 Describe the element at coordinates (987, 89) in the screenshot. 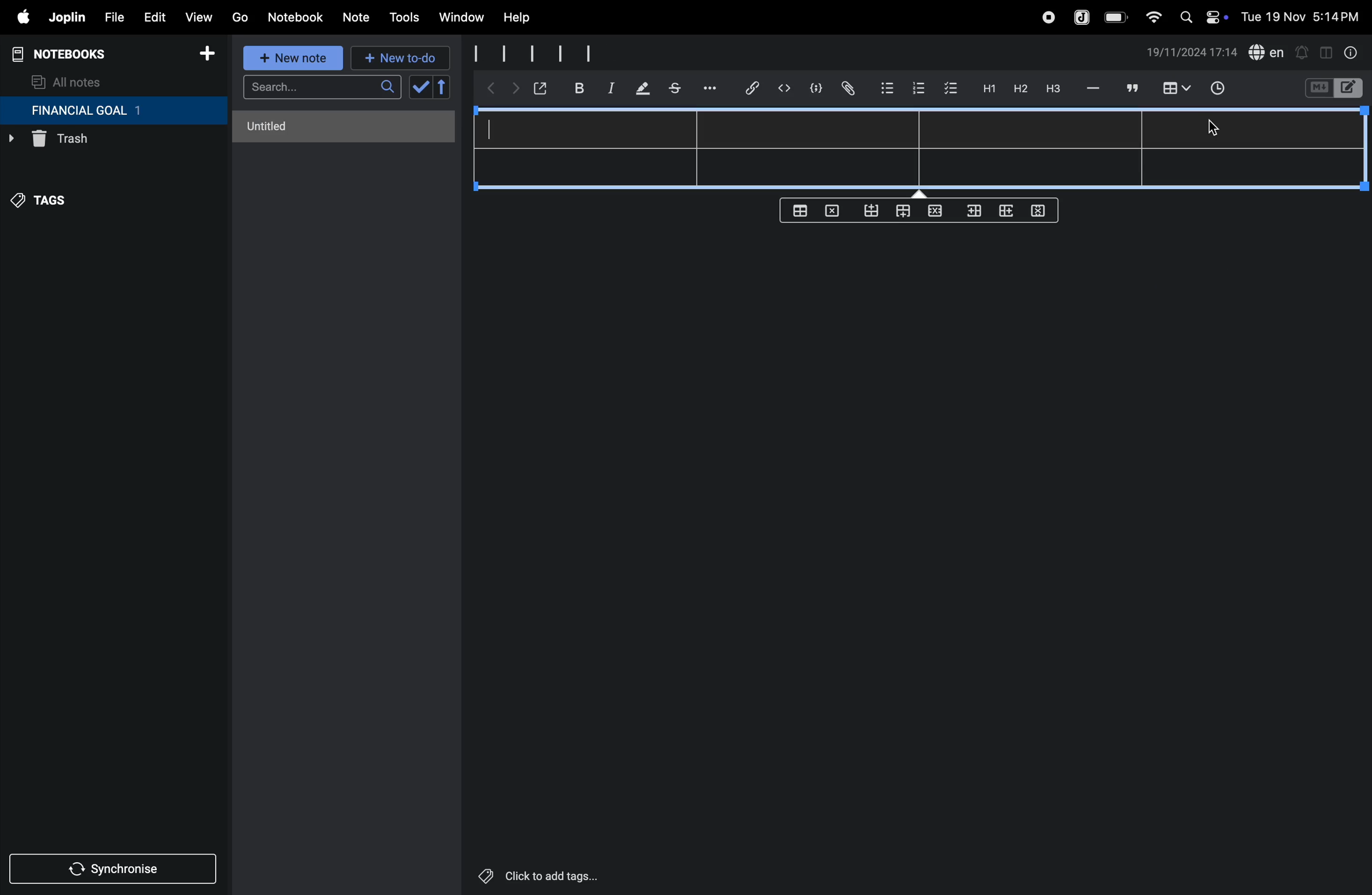

I see `H1` at that location.